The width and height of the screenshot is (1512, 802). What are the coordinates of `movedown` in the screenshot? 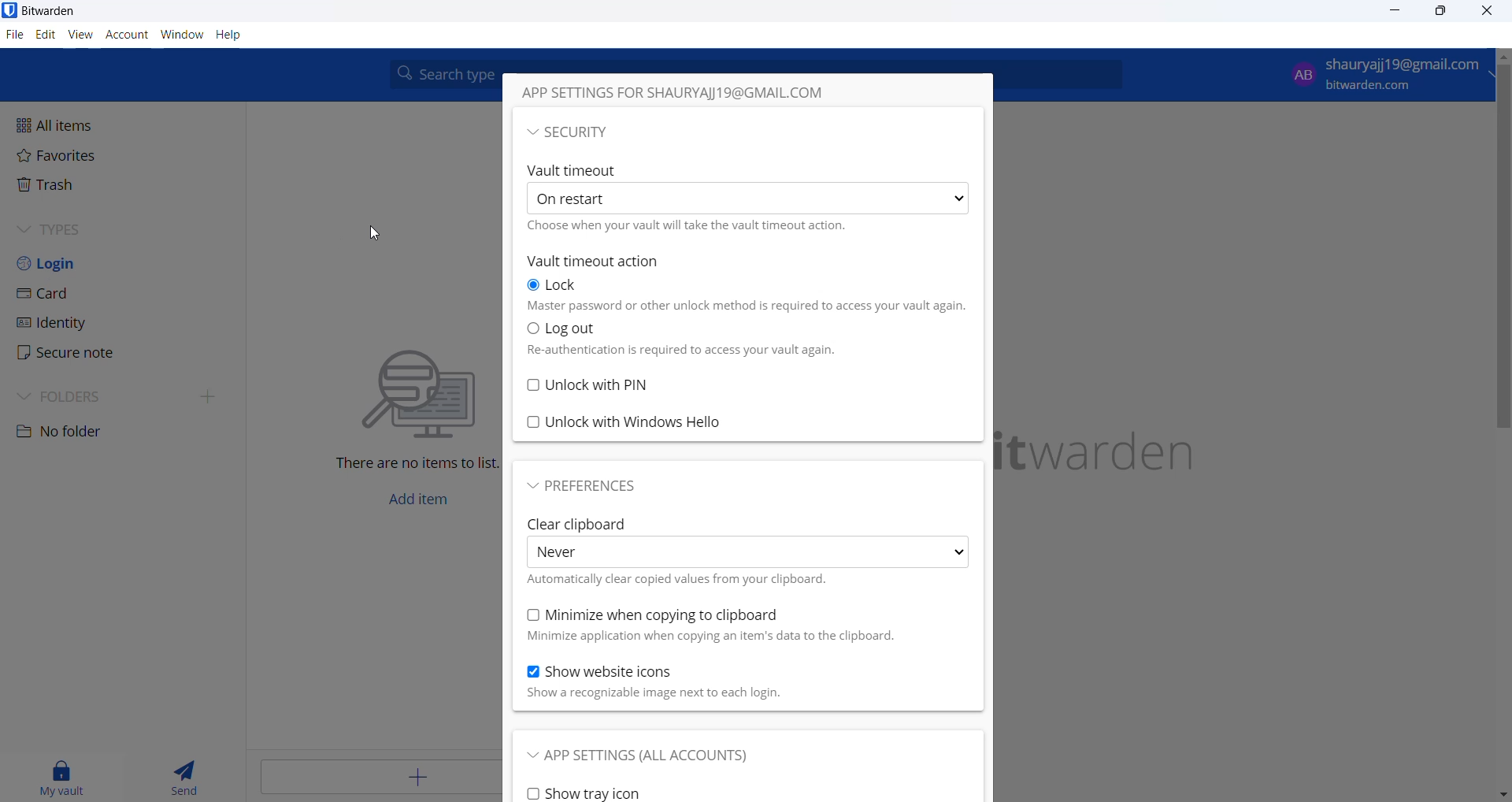 It's located at (1503, 794).